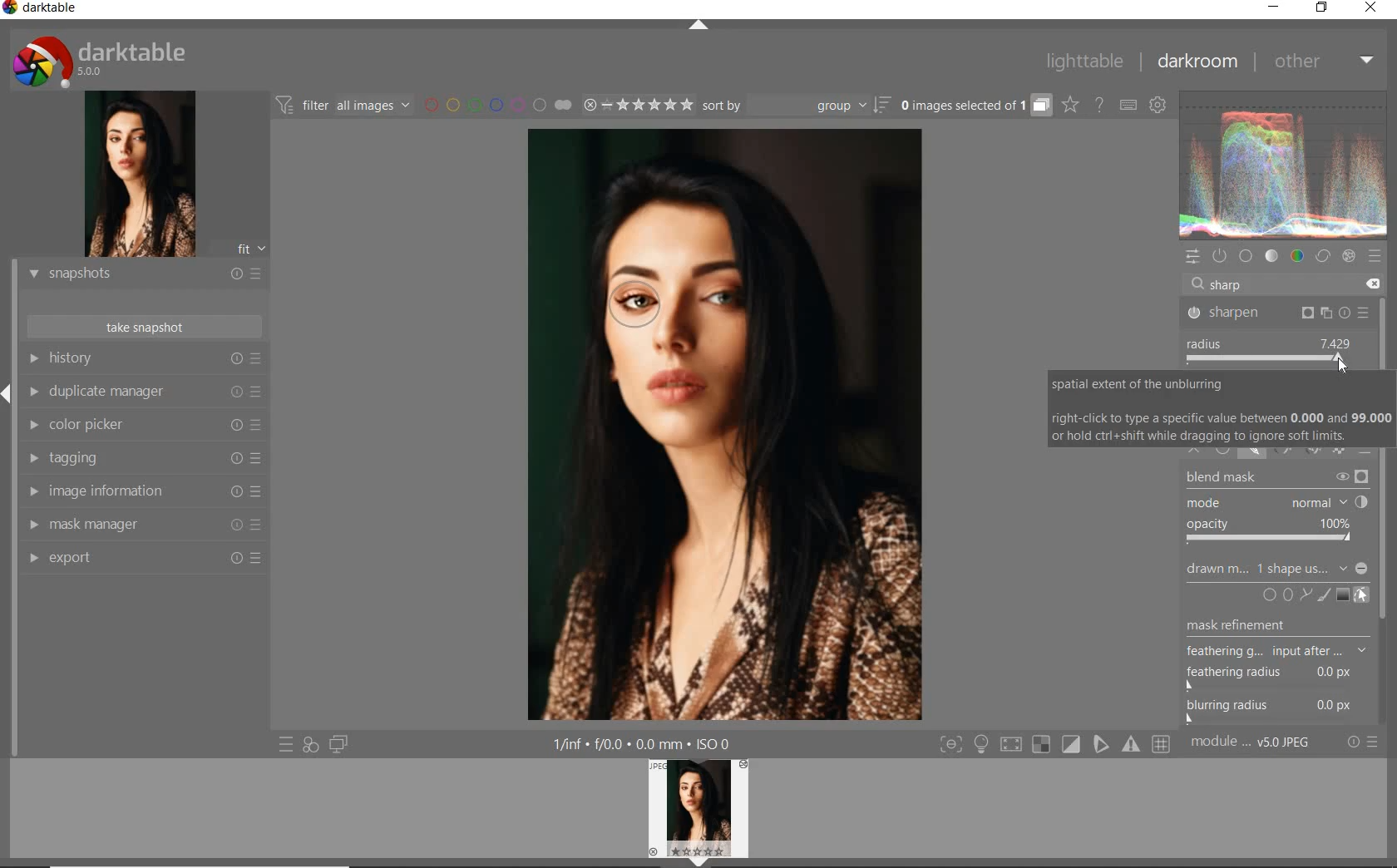  What do you see at coordinates (644, 308) in the screenshot?
I see `selective sharpening added on a subjects eyes` at bounding box center [644, 308].